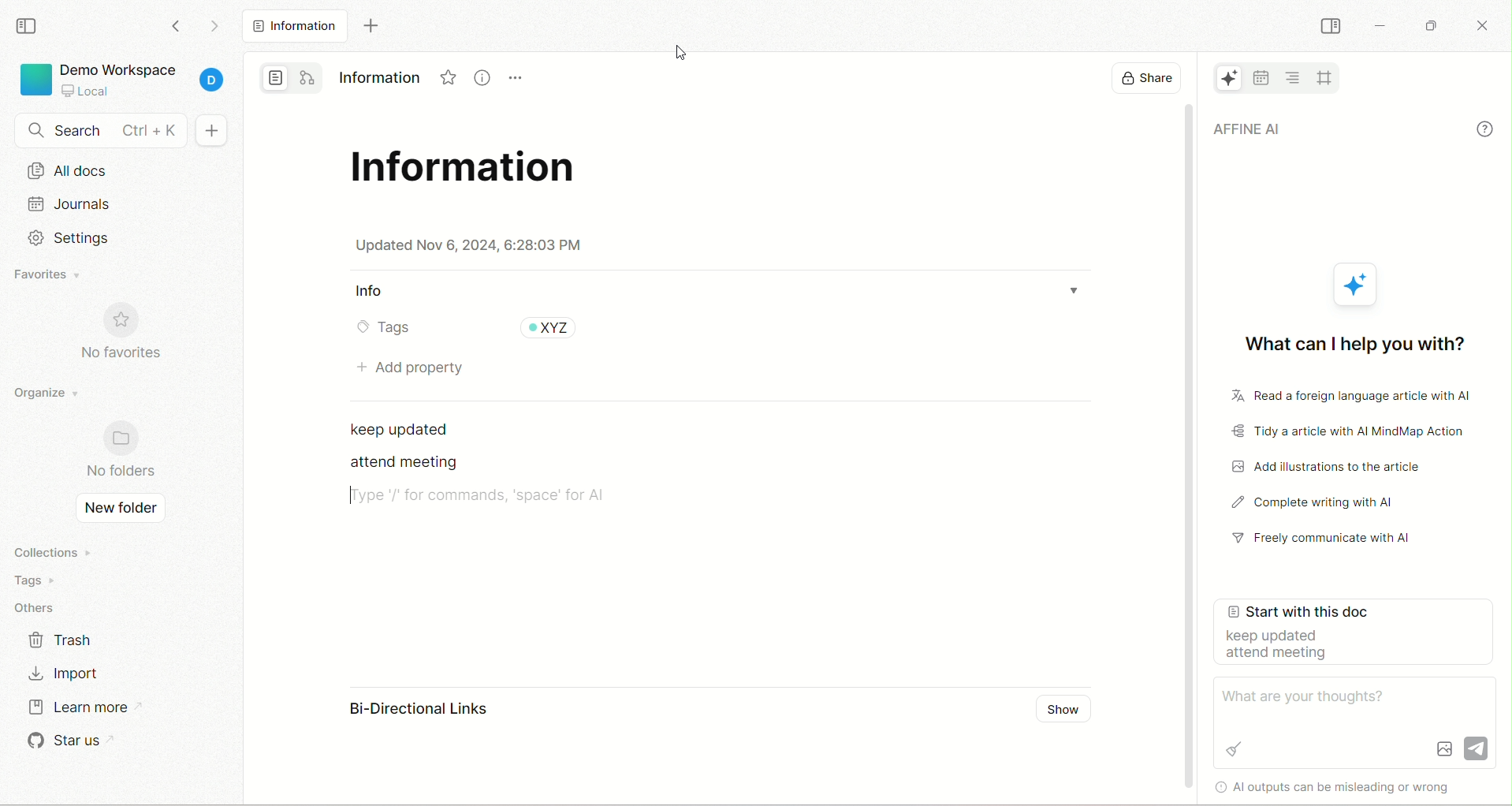 The height and width of the screenshot is (806, 1512). Describe the element at coordinates (1358, 285) in the screenshot. I see `AFFiNE icon` at that location.